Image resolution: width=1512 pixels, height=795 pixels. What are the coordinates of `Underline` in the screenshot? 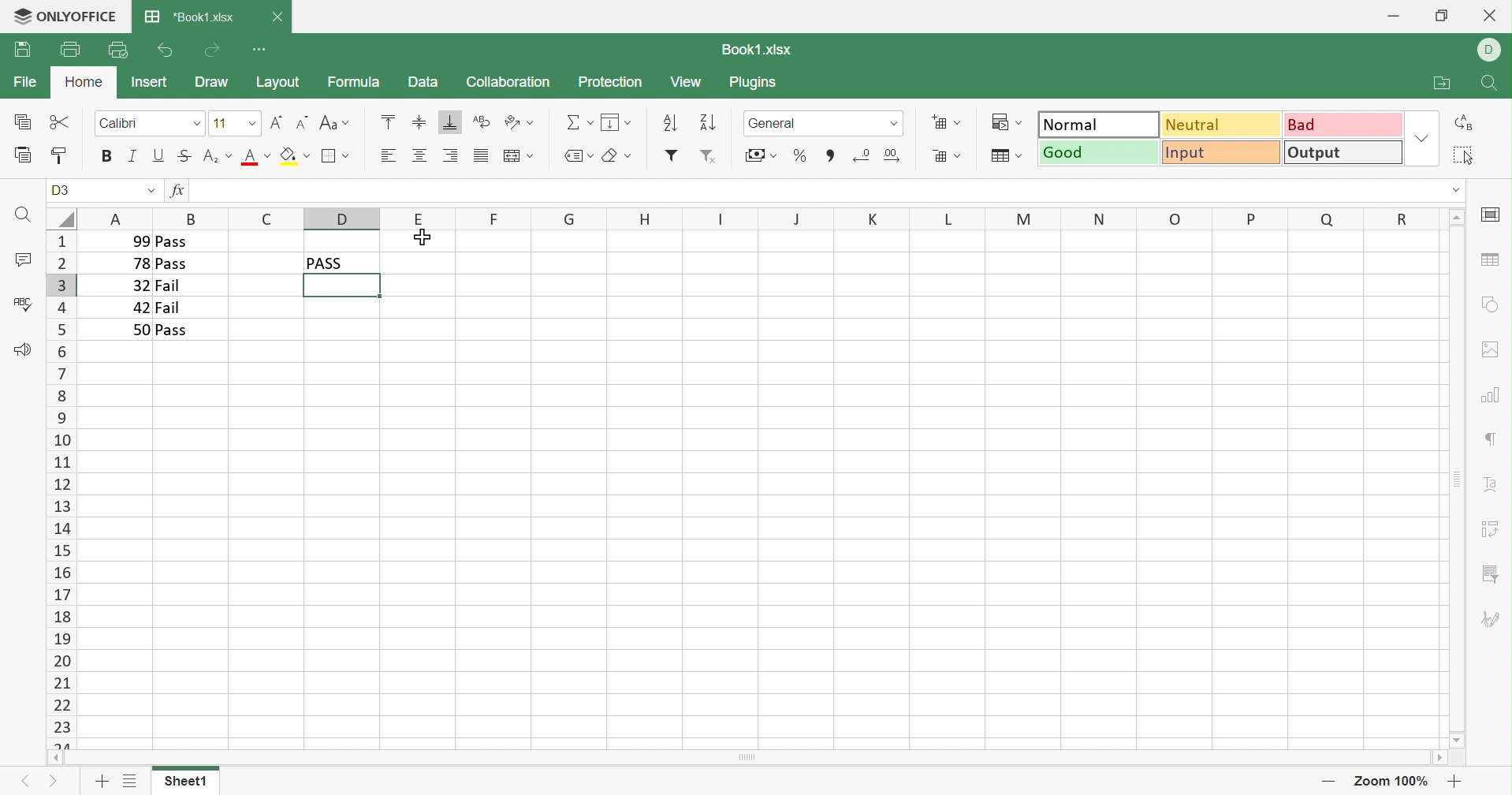 It's located at (160, 155).